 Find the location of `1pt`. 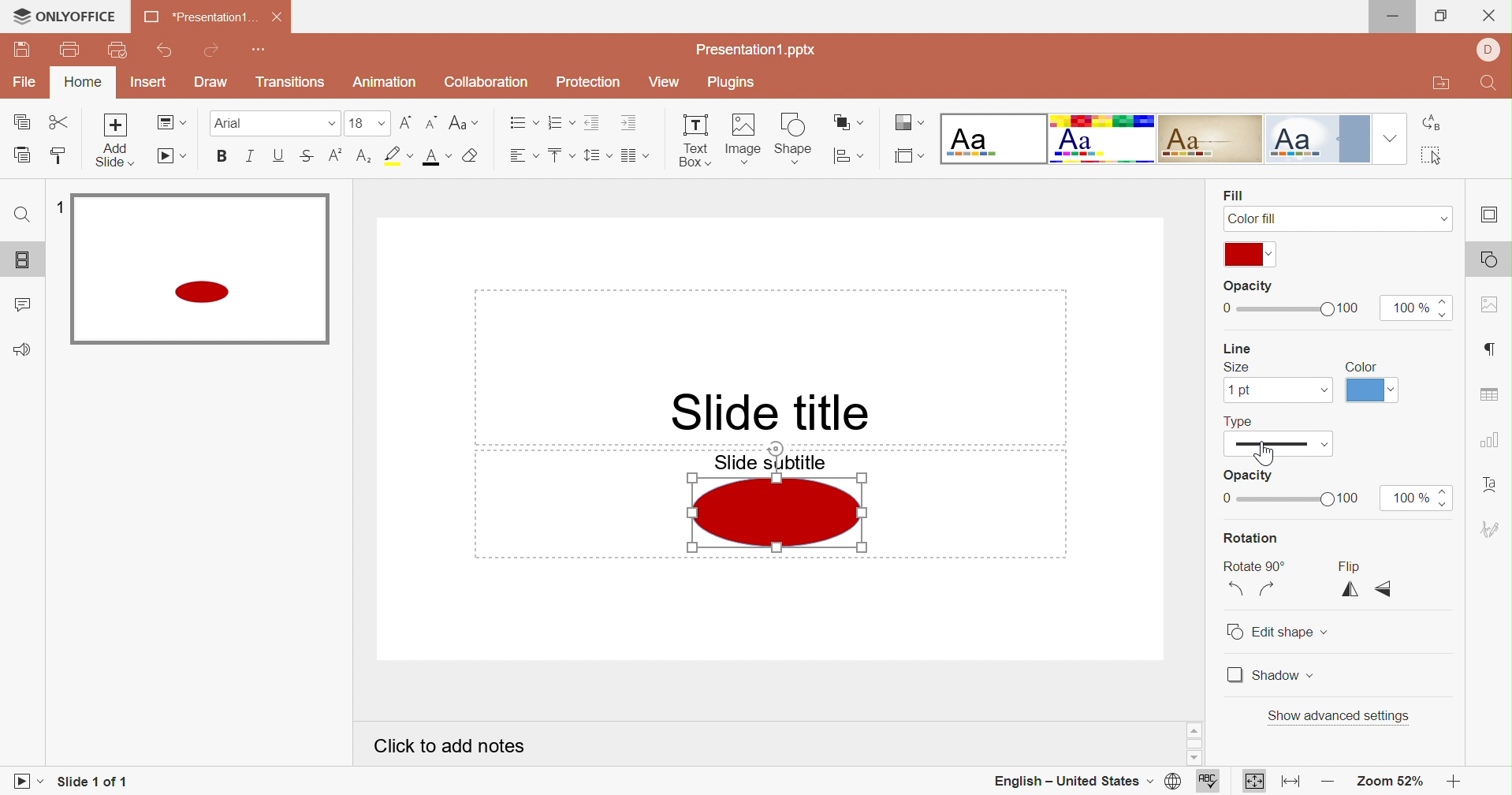

1pt is located at coordinates (1239, 390).